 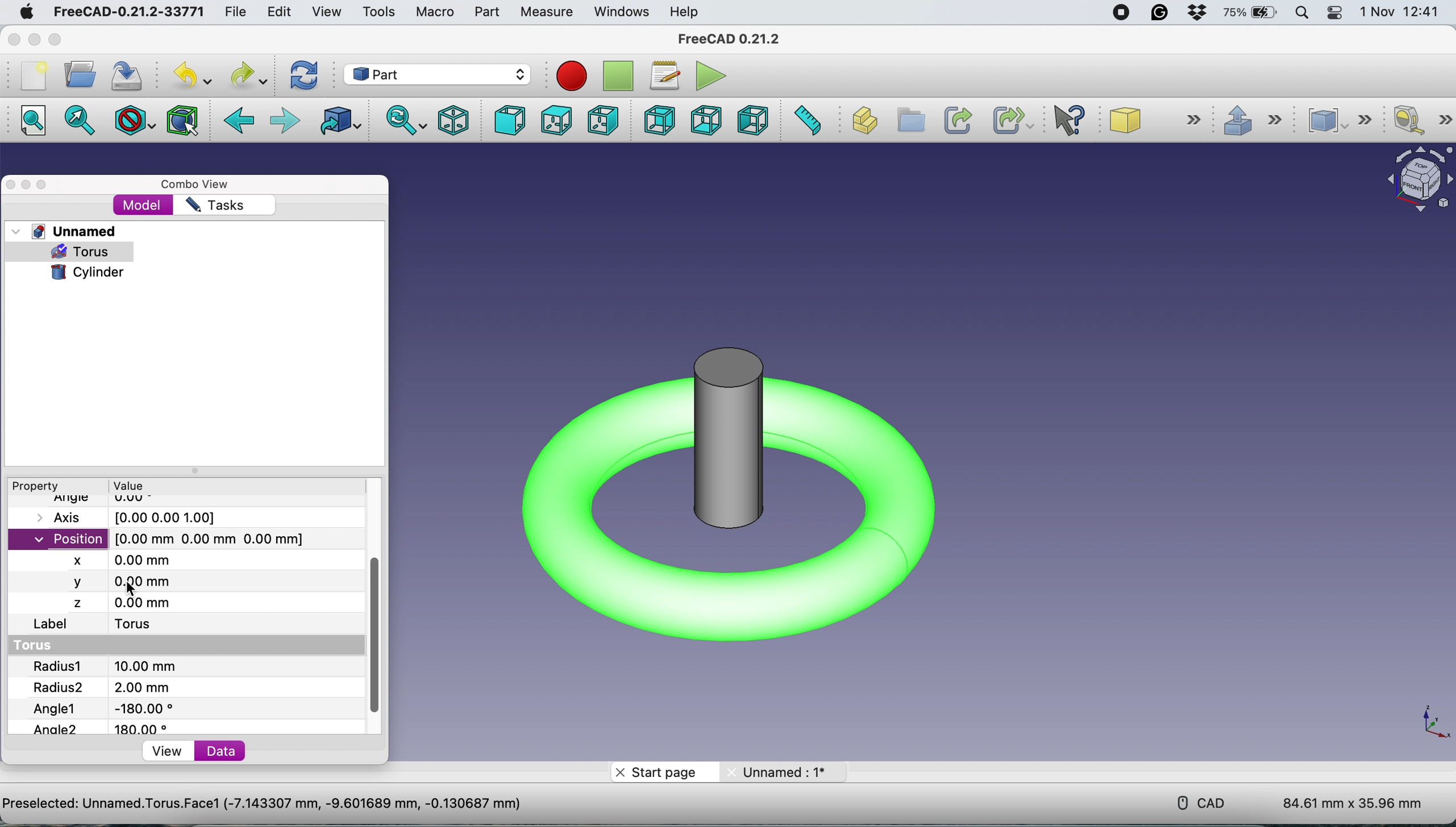 What do you see at coordinates (131, 587) in the screenshot?
I see `cursor` at bounding box center [131, 587].